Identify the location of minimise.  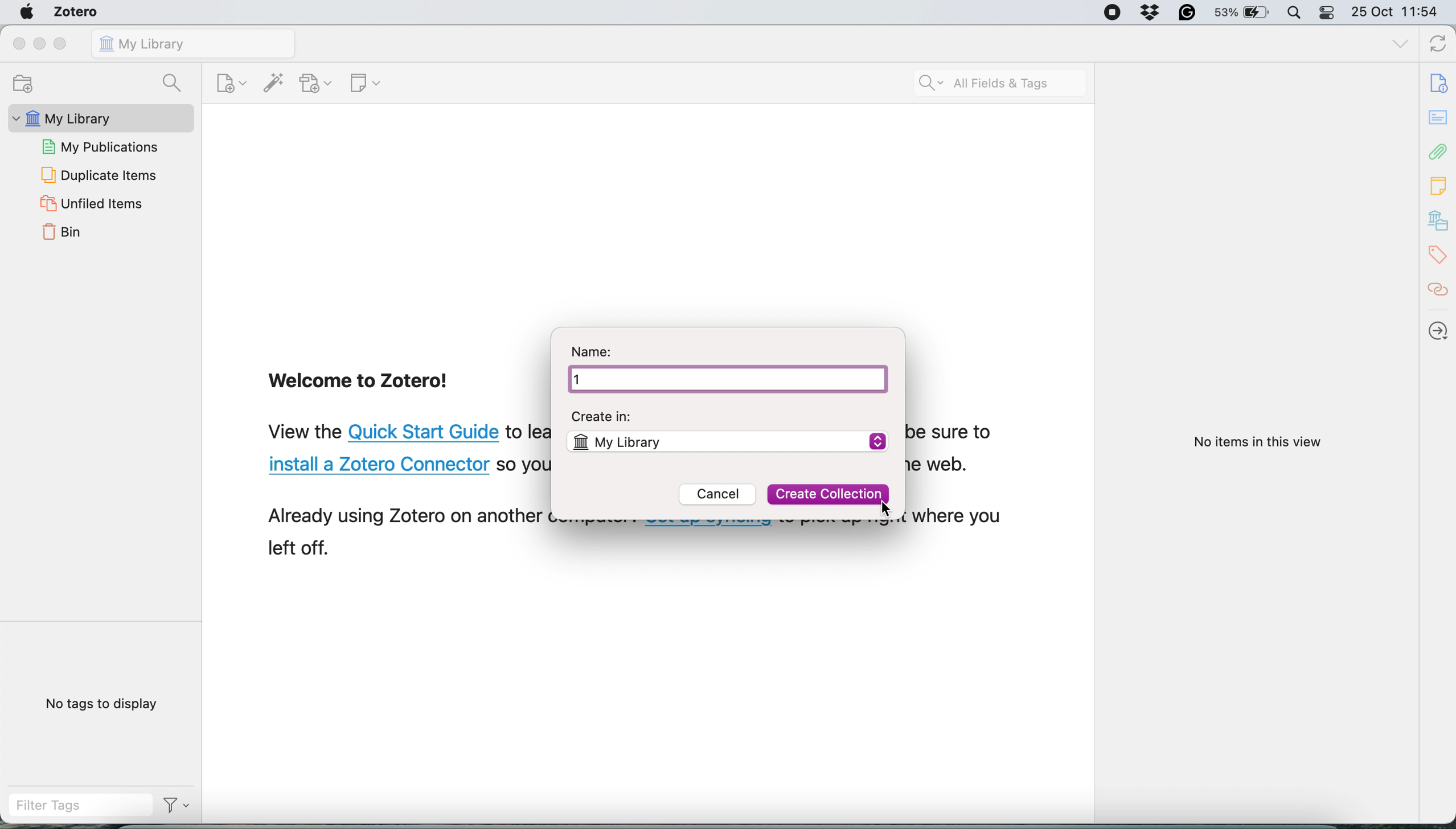
(41, 44).